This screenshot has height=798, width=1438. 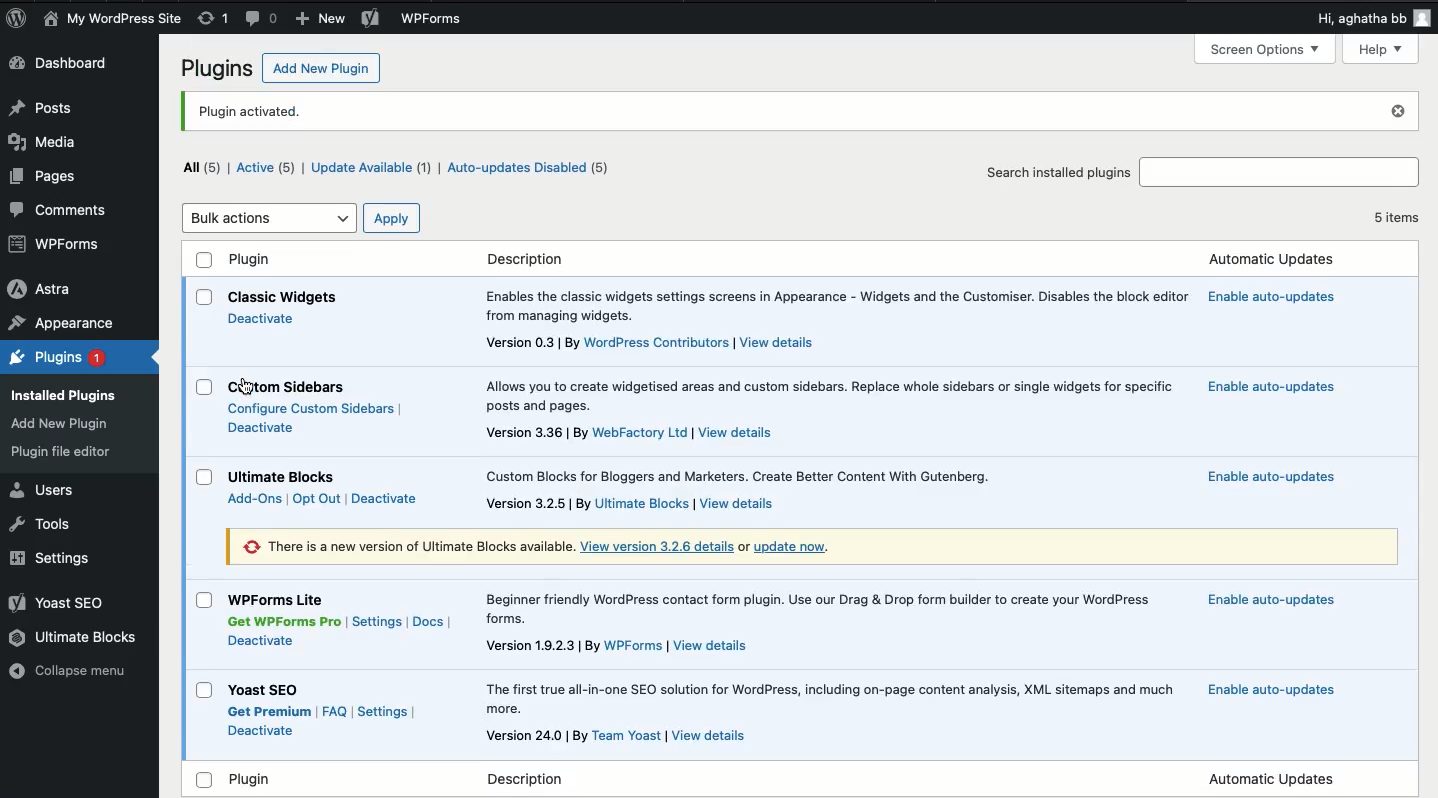 I want to click on Deactive, so click(x=261, y=428).